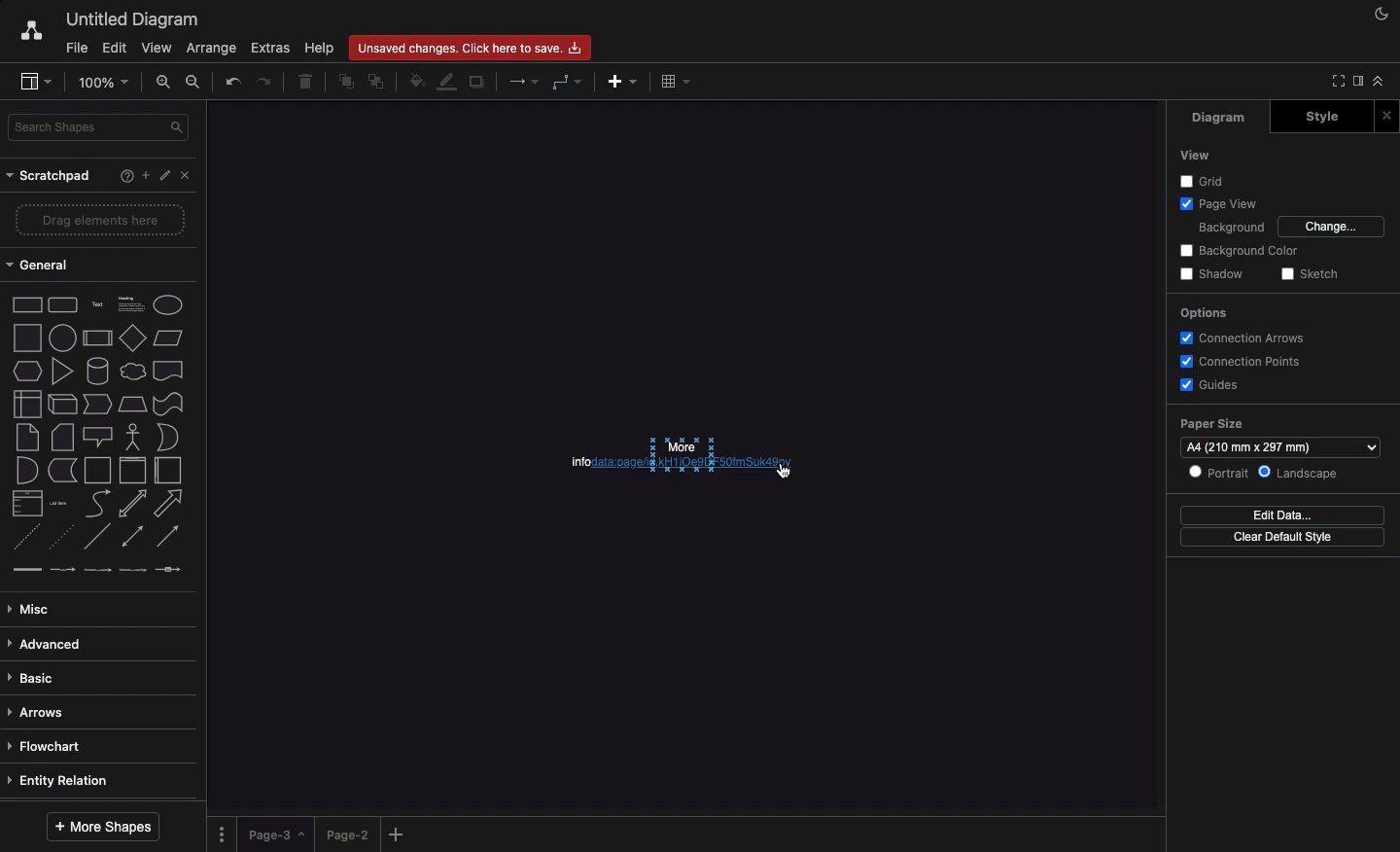 Image resolution: width=1400 pixels, height=852 pixels. Describe the element at coordinates (1335, 82) in the screenshot. I see `Collapse` at that location.